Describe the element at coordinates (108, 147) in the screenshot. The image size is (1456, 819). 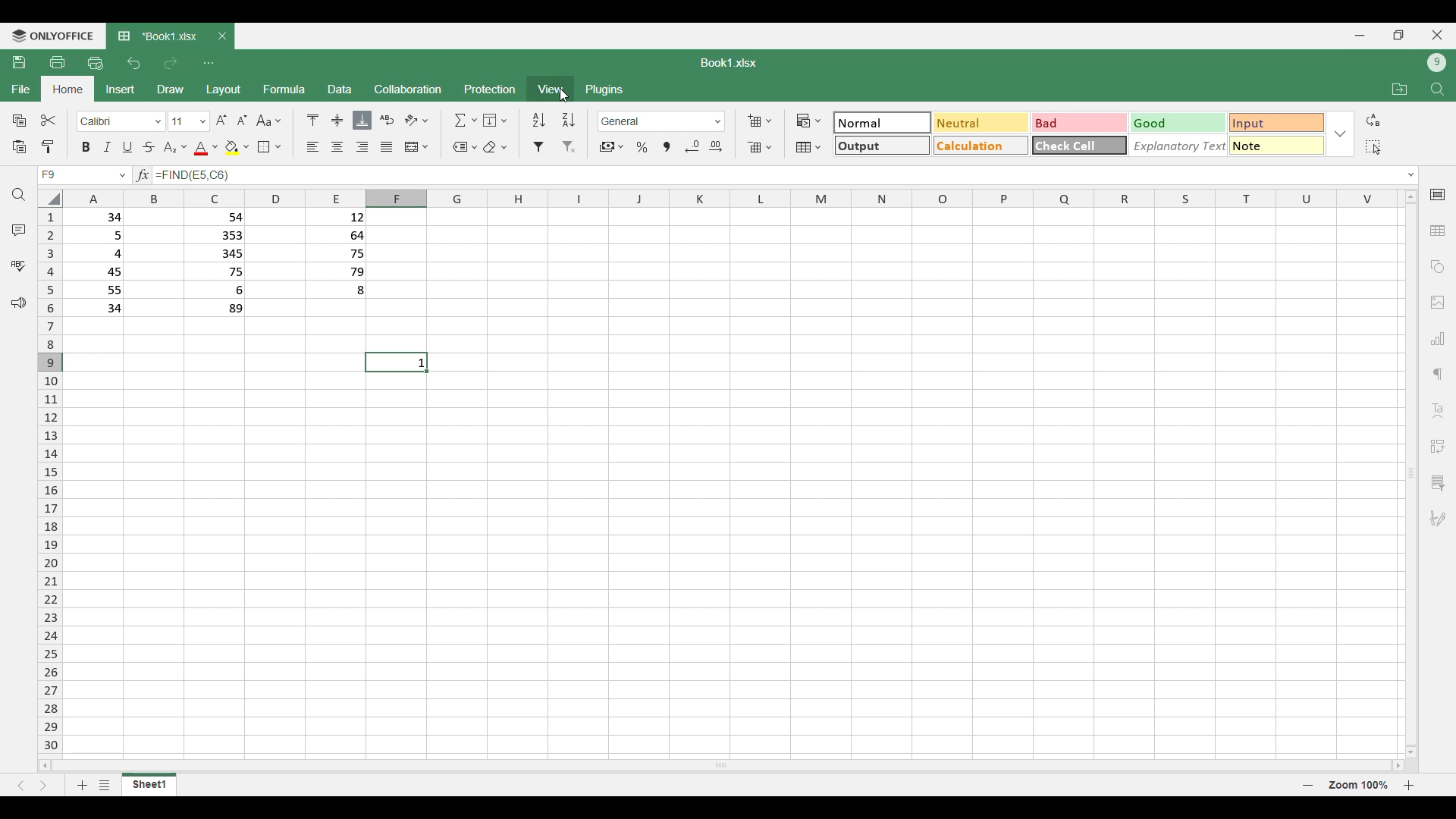
I see `Italic` at that location.